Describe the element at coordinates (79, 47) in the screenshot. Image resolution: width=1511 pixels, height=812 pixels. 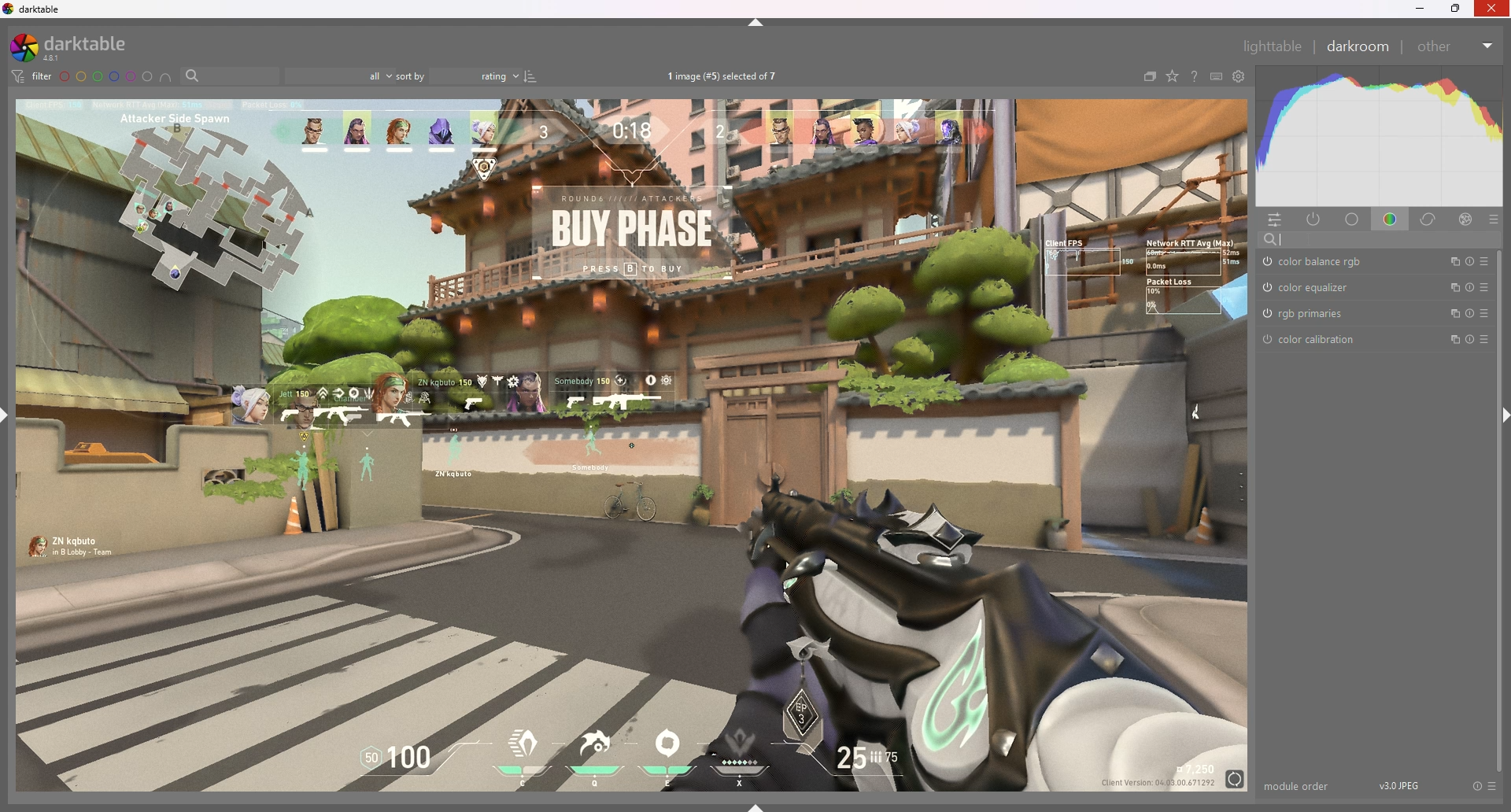
I see `darktable` at that location.